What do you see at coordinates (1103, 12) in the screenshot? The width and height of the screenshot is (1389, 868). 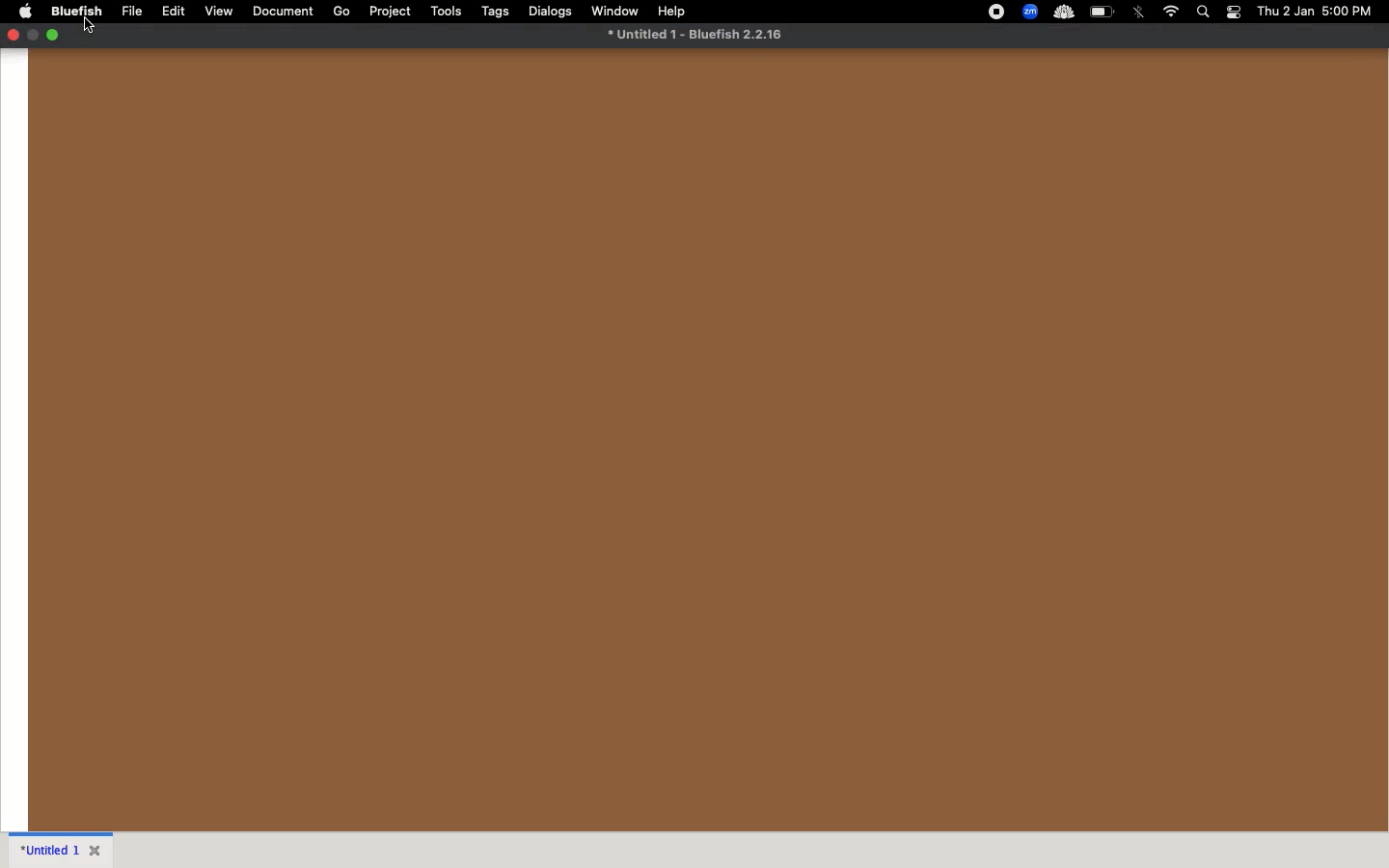 I see `charge` at bounding box center [1103, 12].